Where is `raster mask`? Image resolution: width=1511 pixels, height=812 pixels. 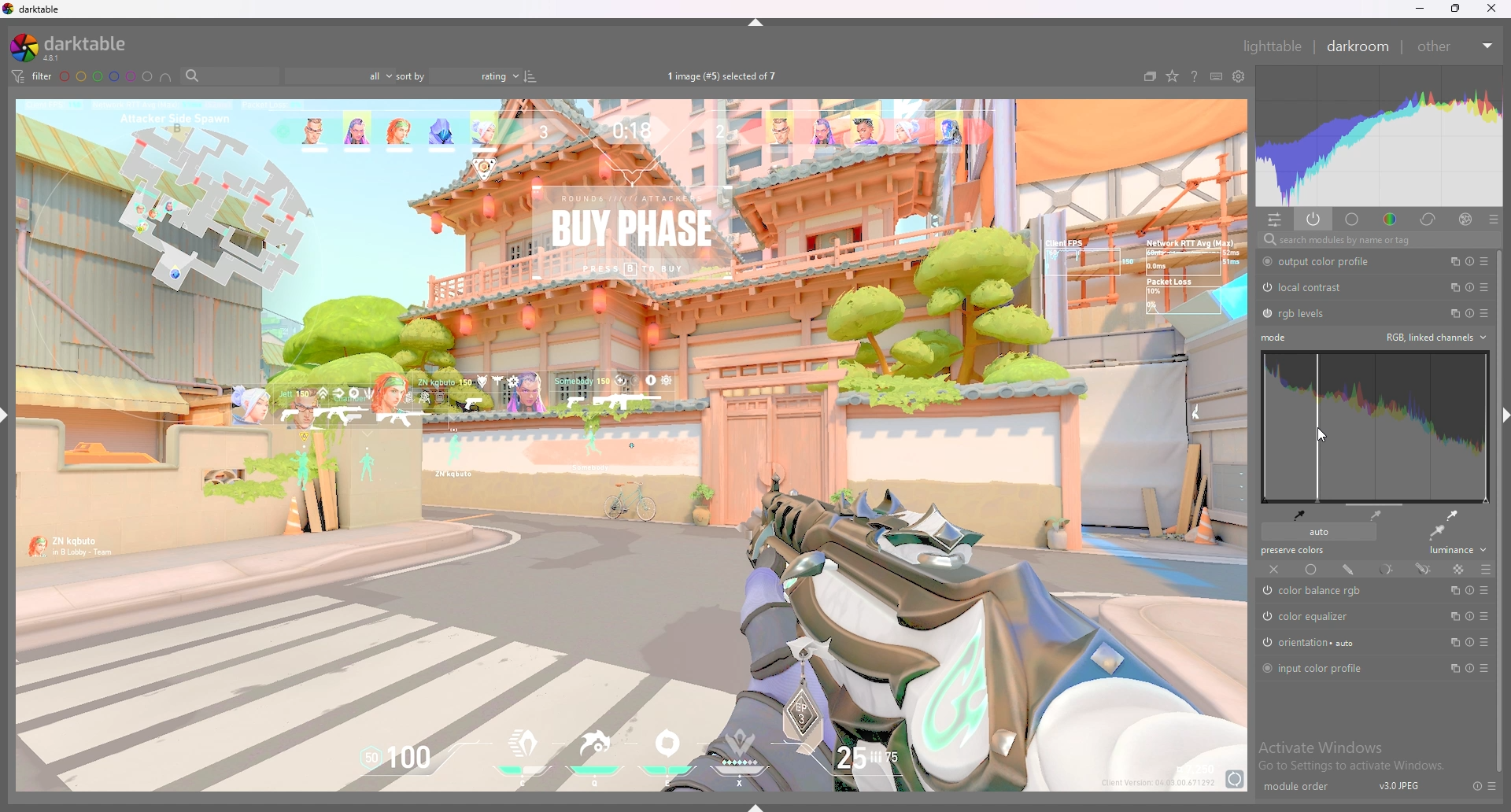
raster mask is located at coordinates (1457, 569).